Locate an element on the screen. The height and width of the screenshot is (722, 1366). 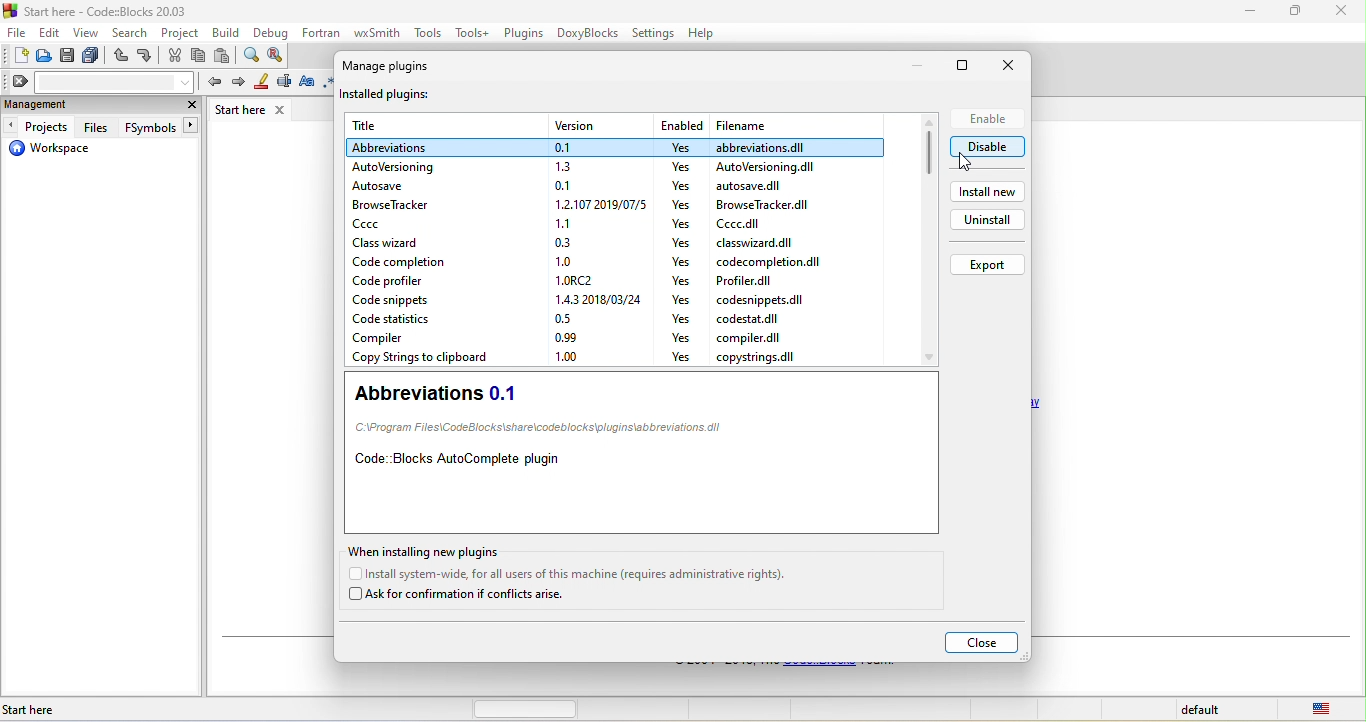
tools is located at coordinates (428, 34).